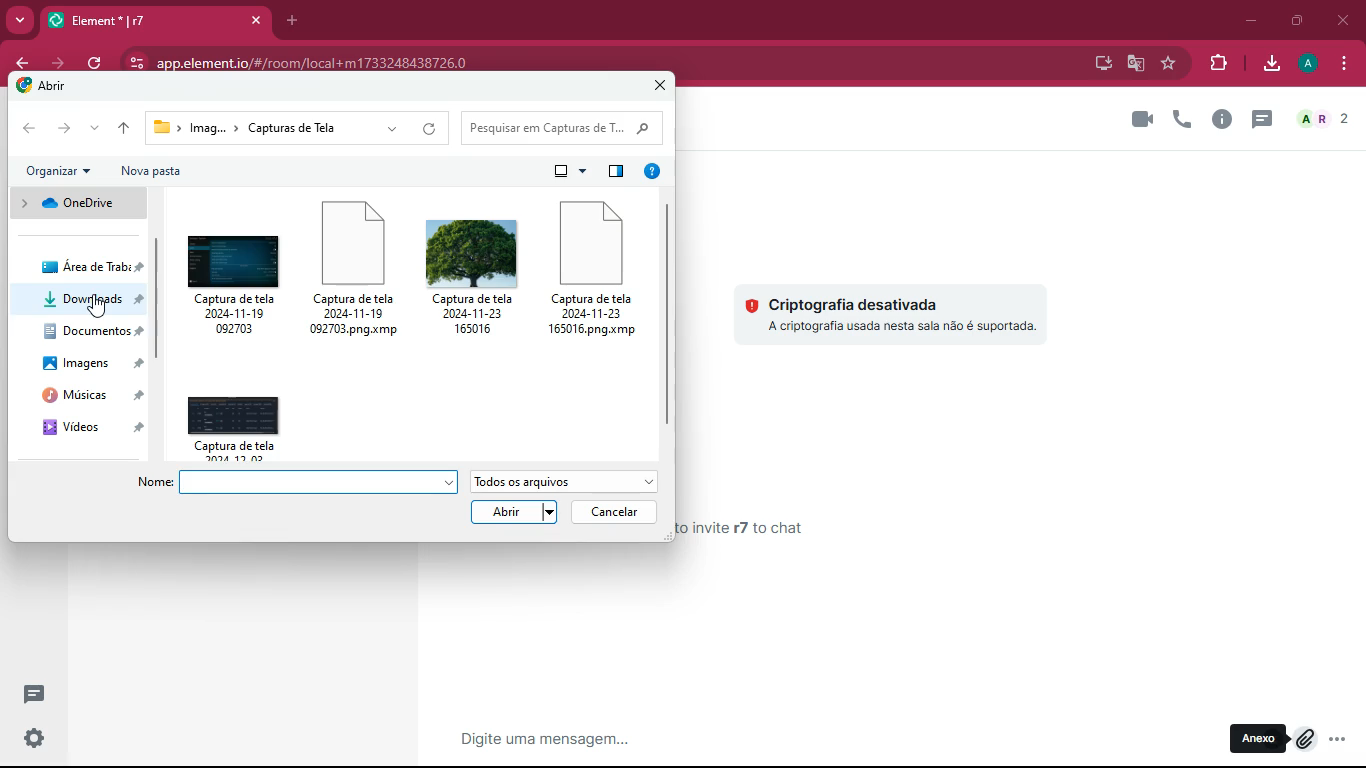 The image size is (1366, 768). I want to click on favorite, so click(1169, 64).